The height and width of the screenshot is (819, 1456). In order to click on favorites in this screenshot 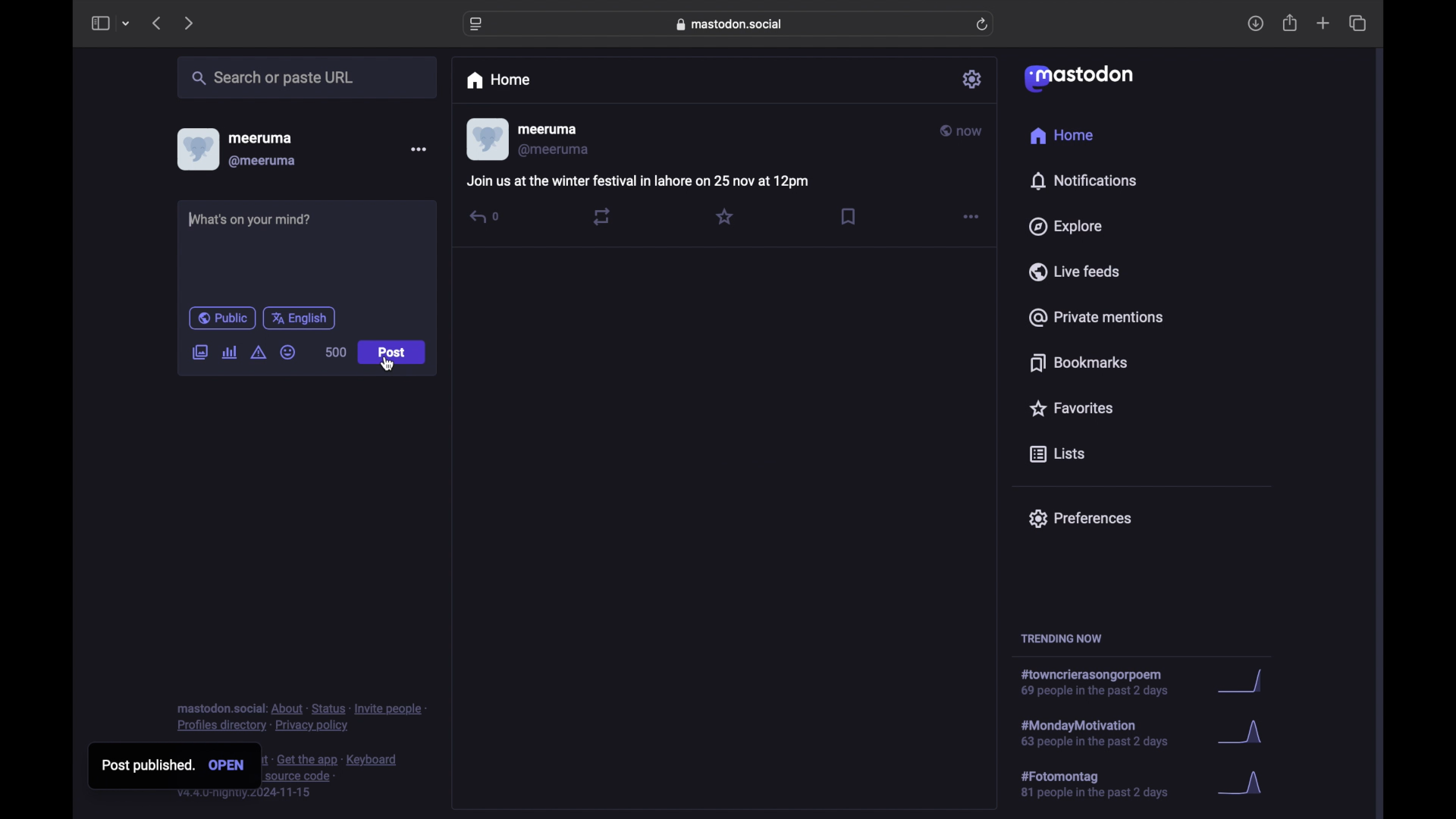, I will do `click(724, 216)`.